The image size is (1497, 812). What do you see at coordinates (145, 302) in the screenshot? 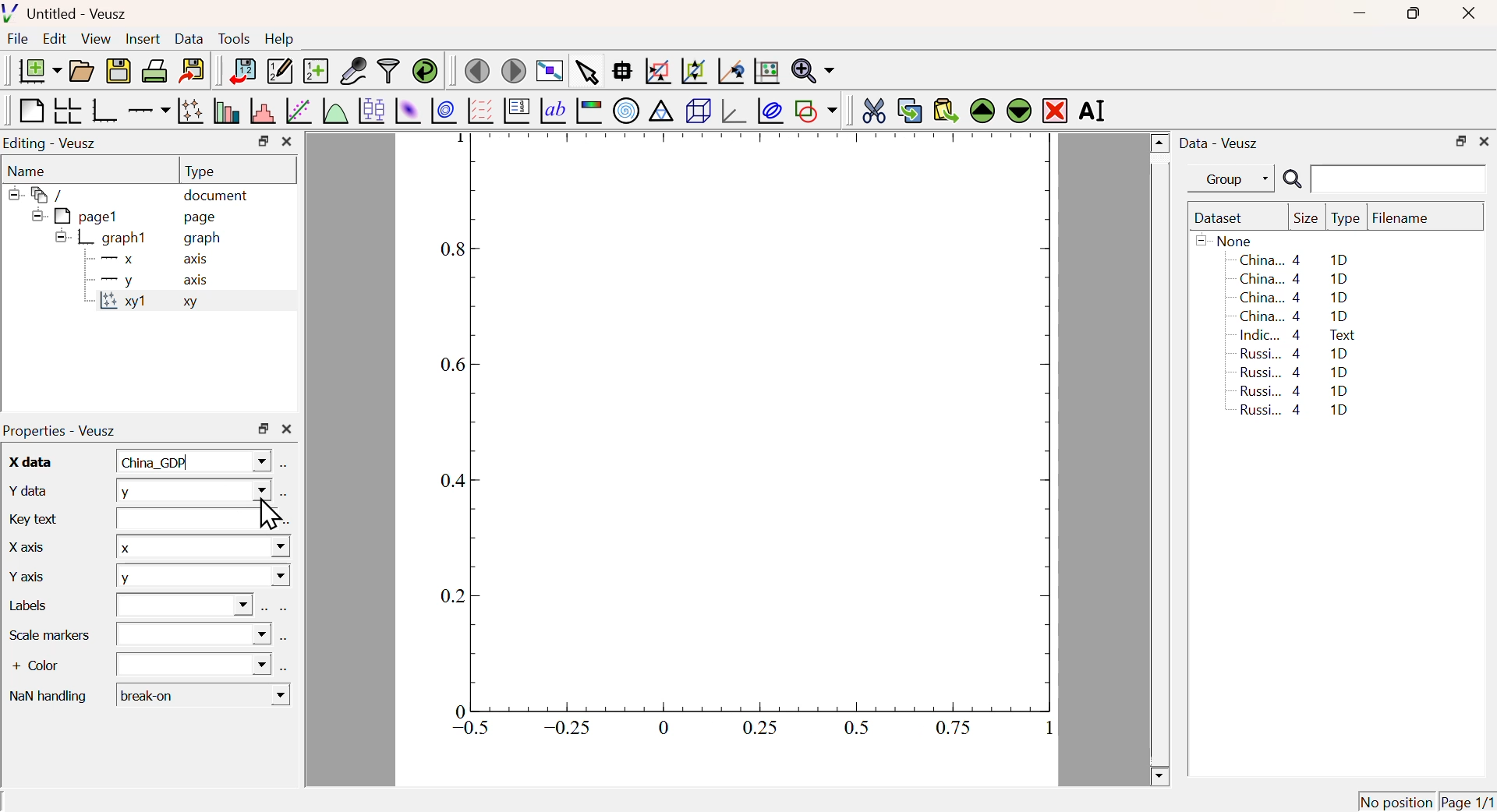
I see `xy1 xy` at bounding box center [145, 302].